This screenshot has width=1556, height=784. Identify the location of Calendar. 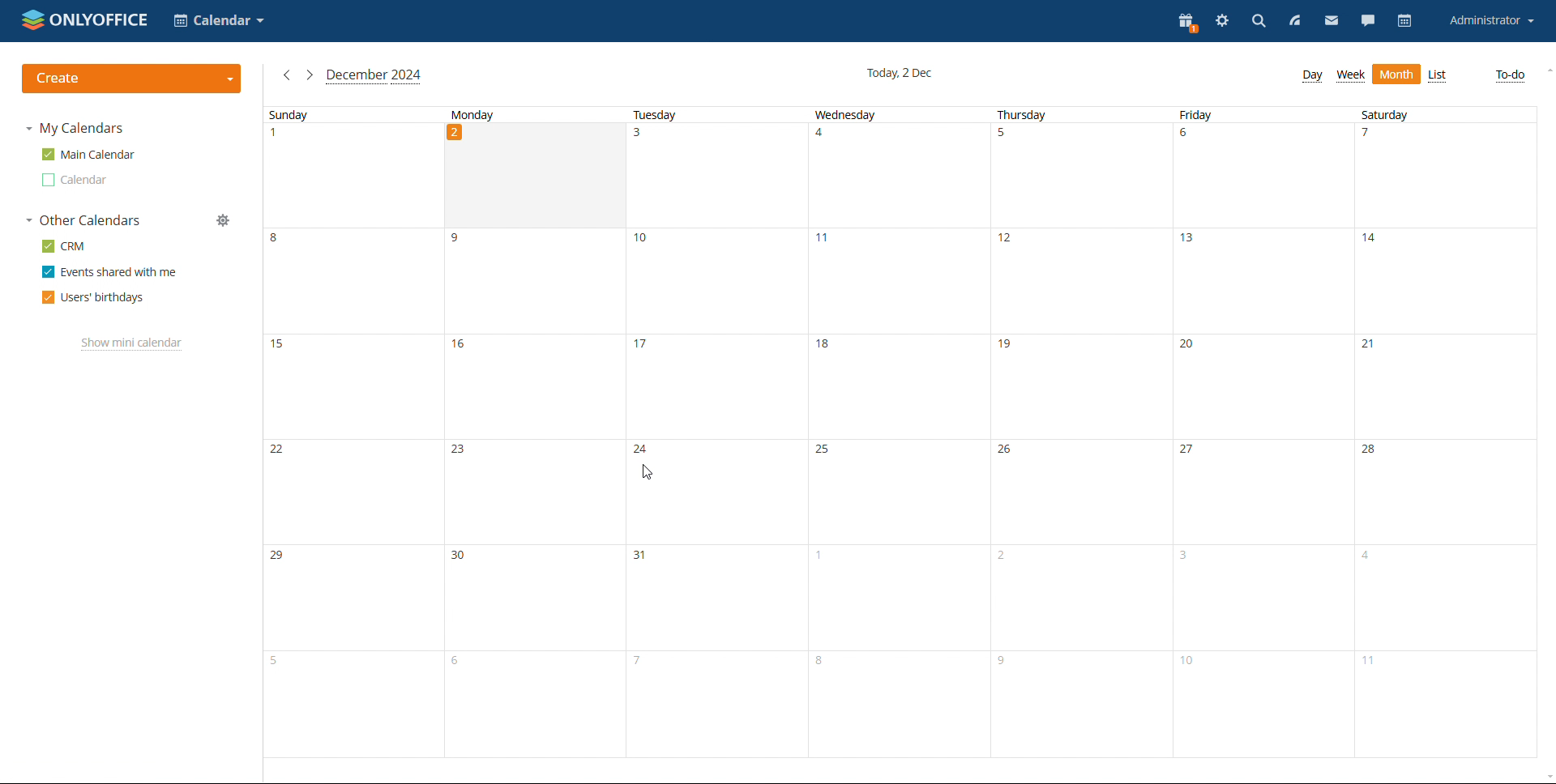
(220, 22).